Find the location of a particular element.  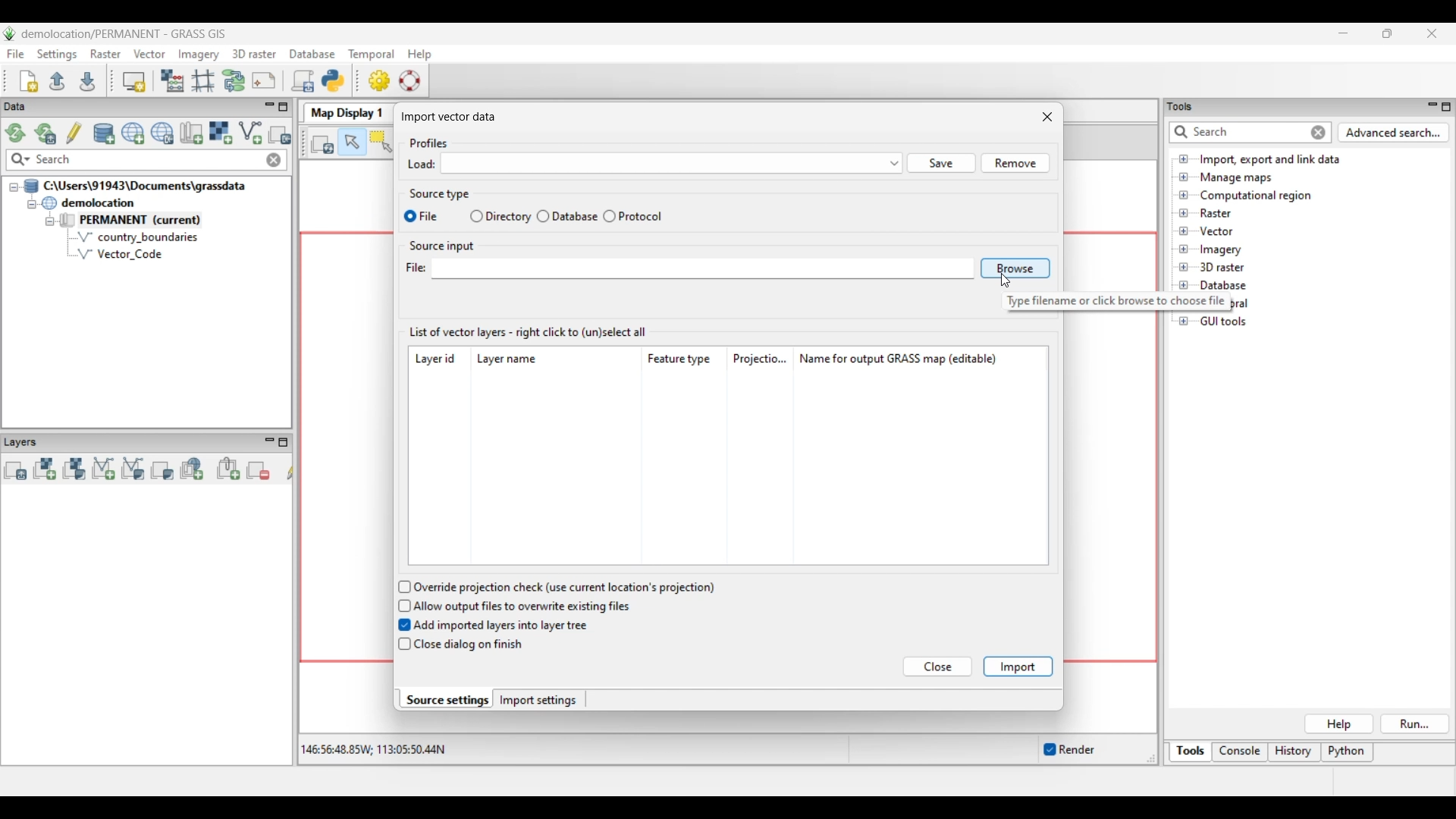

checkbox is located at coordinates (400, 626).